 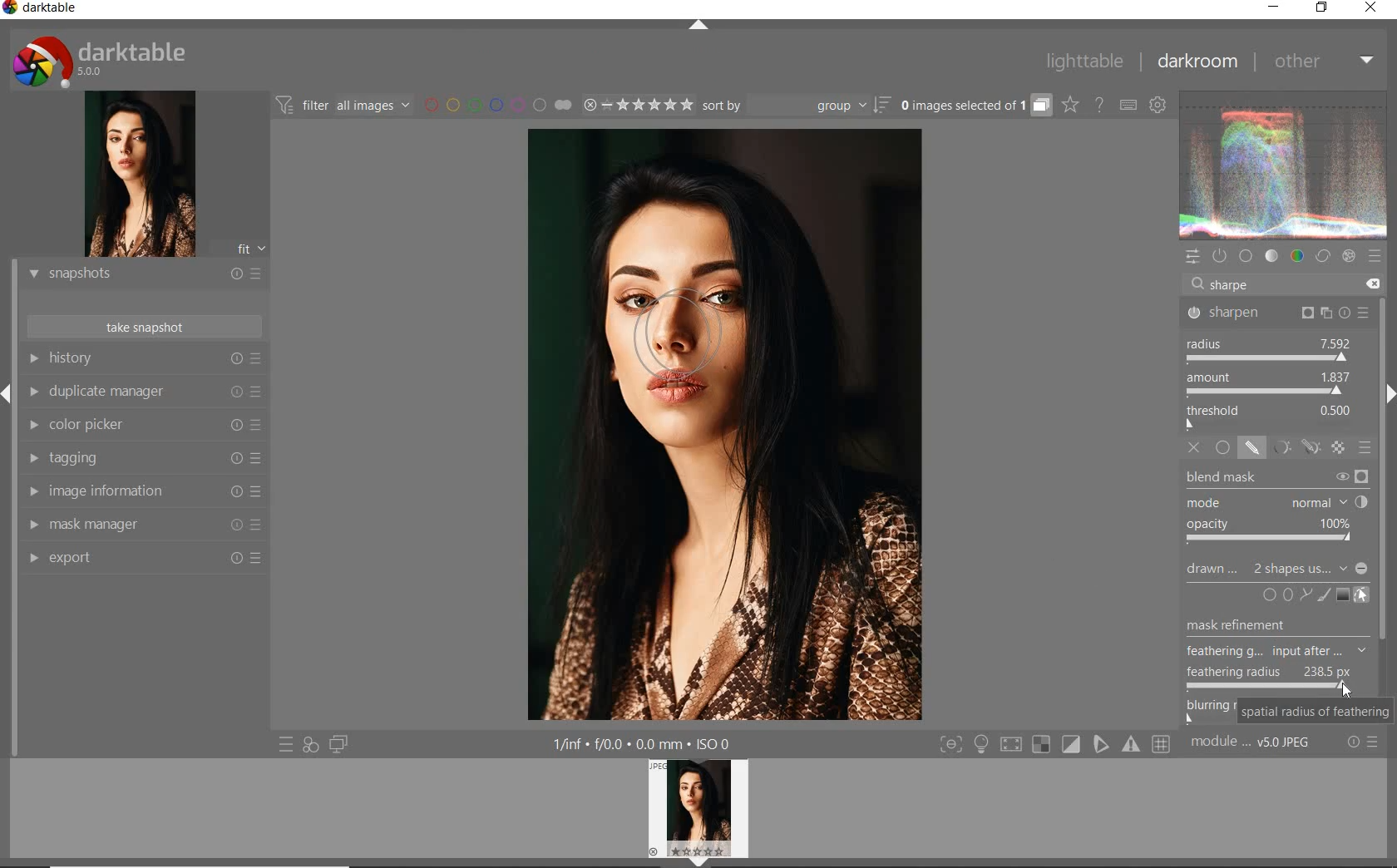 I want to click on sign , so click(x=1165, y=746).